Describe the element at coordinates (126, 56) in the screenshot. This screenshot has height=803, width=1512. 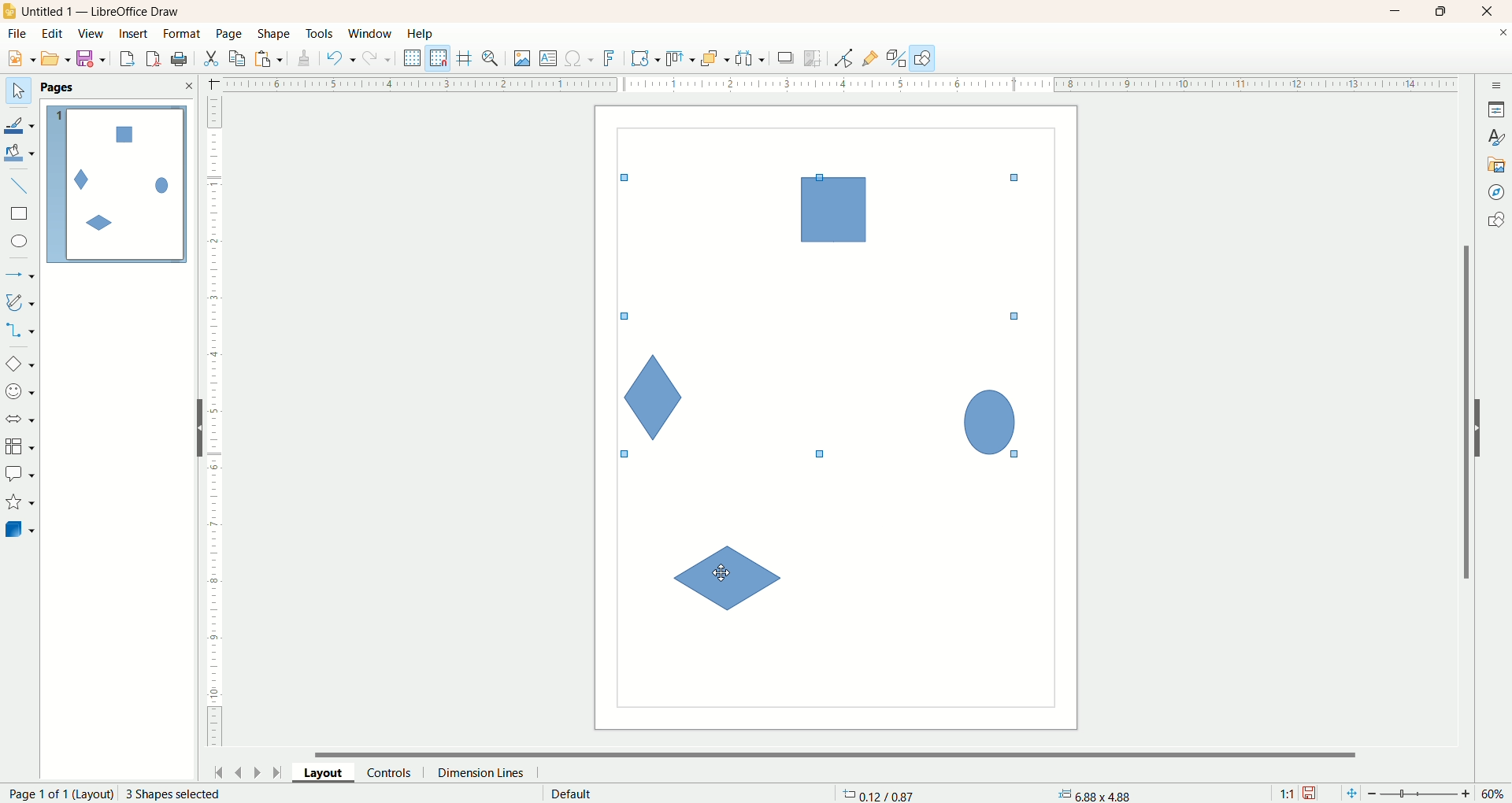
I see `export` at that location.